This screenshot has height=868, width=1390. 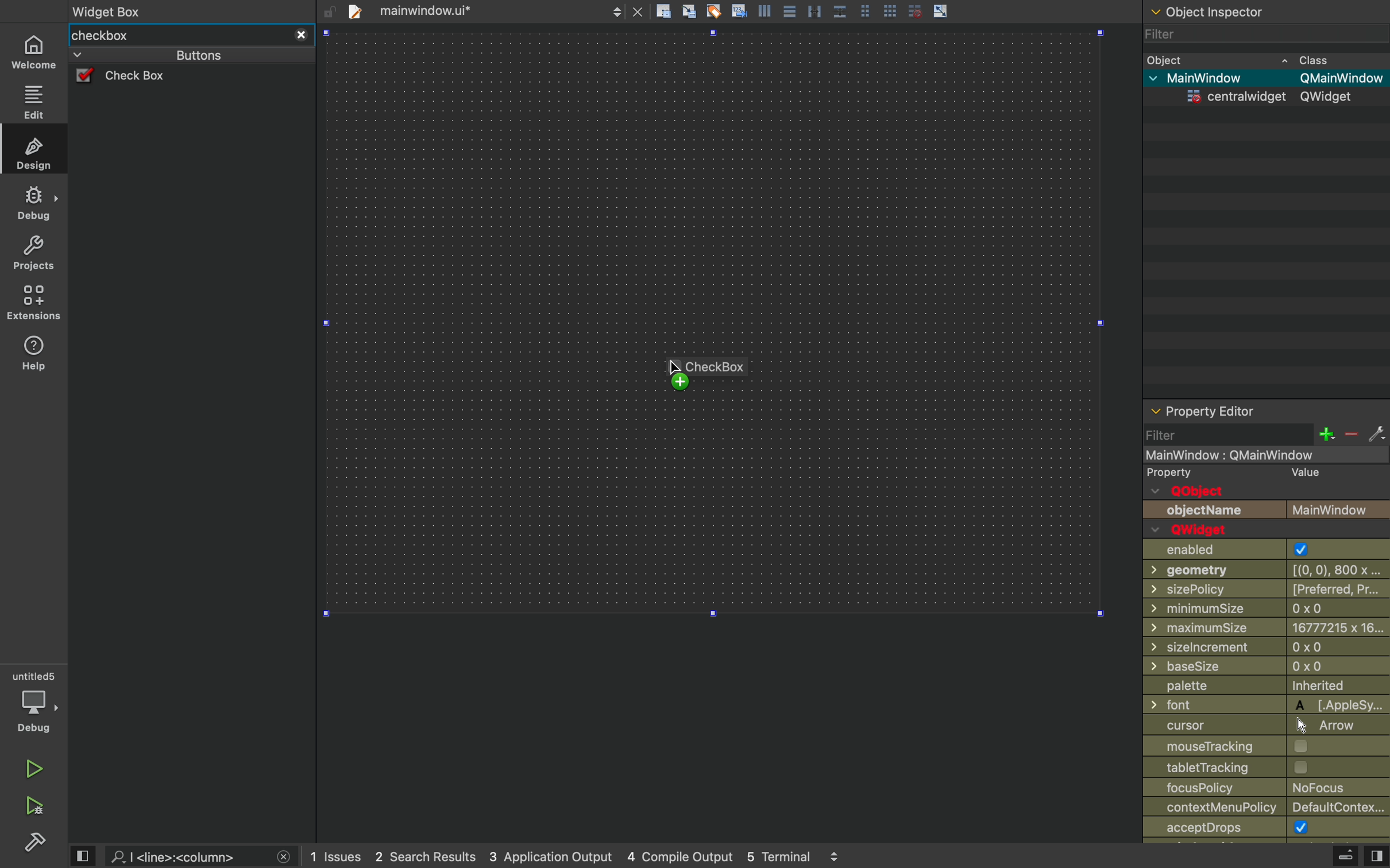 I want to click on run and debug, so click(x=32, y=808).